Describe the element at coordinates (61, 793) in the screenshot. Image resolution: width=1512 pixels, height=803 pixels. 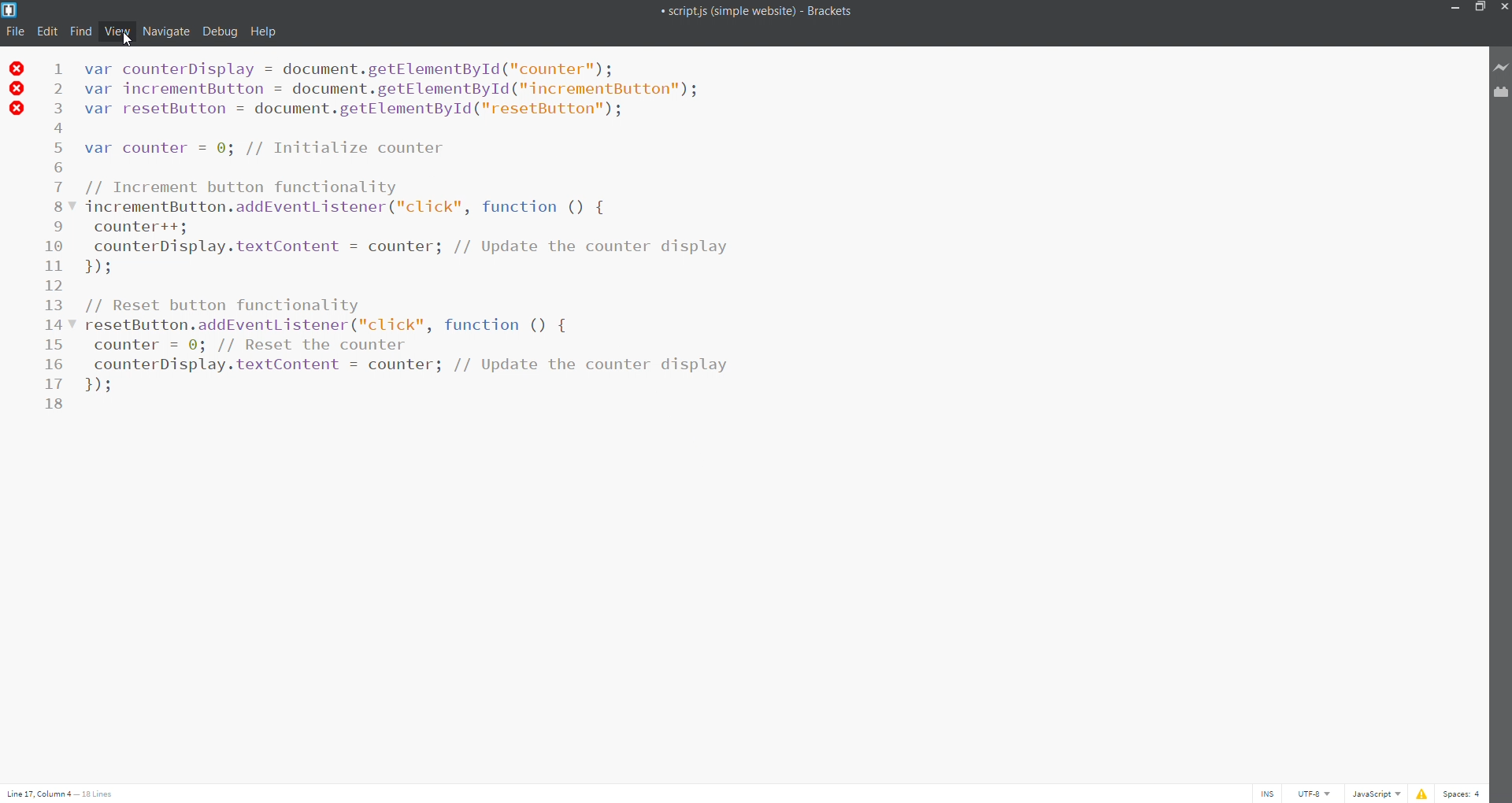
I see `Line 17, Column 4 - 18 Lines` at that location.